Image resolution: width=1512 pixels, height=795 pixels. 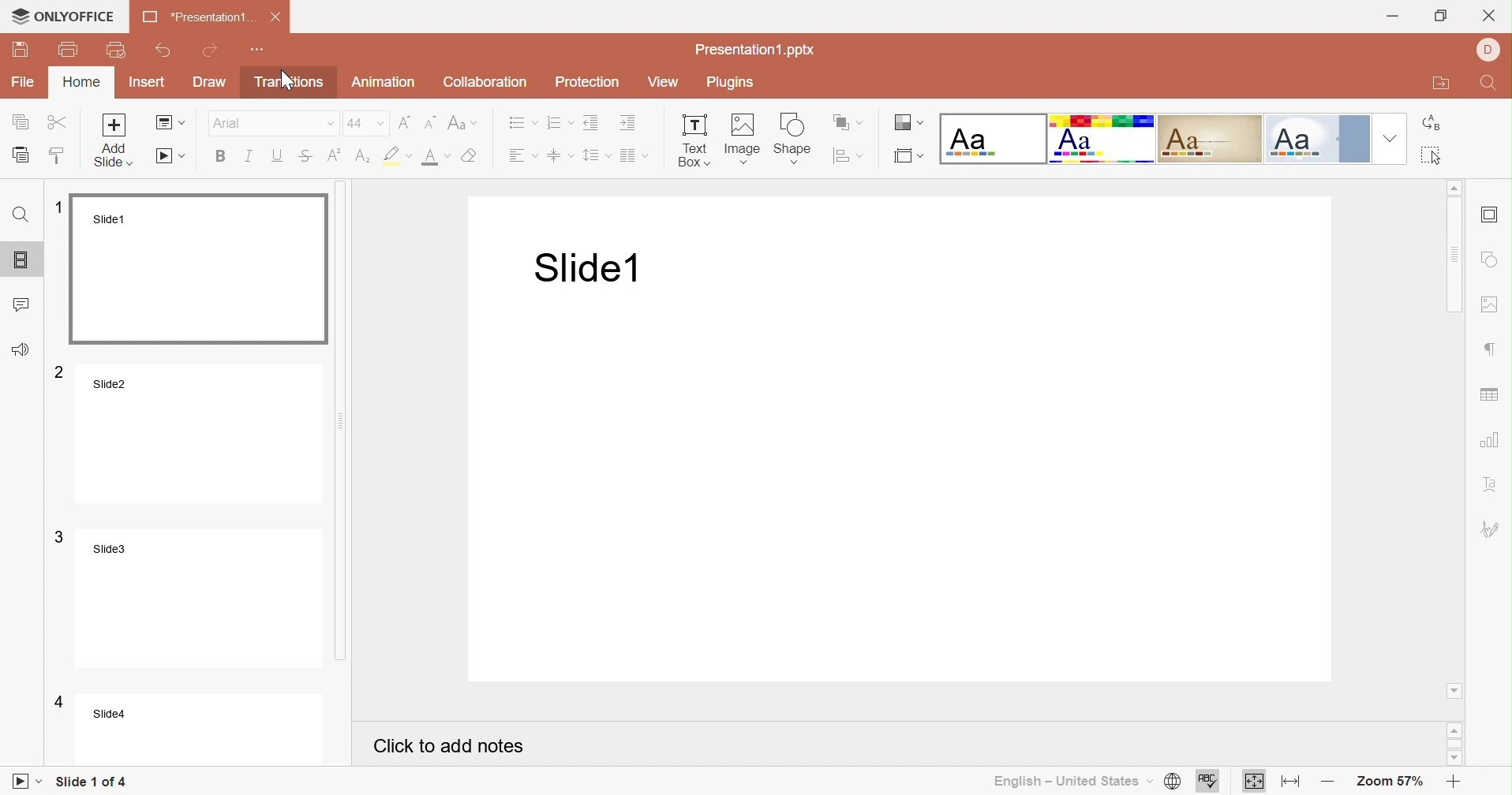 What do you see at coordinates (597, 157) in the screenshot?
I see `Line spacing` at bounding box center [597, 157].